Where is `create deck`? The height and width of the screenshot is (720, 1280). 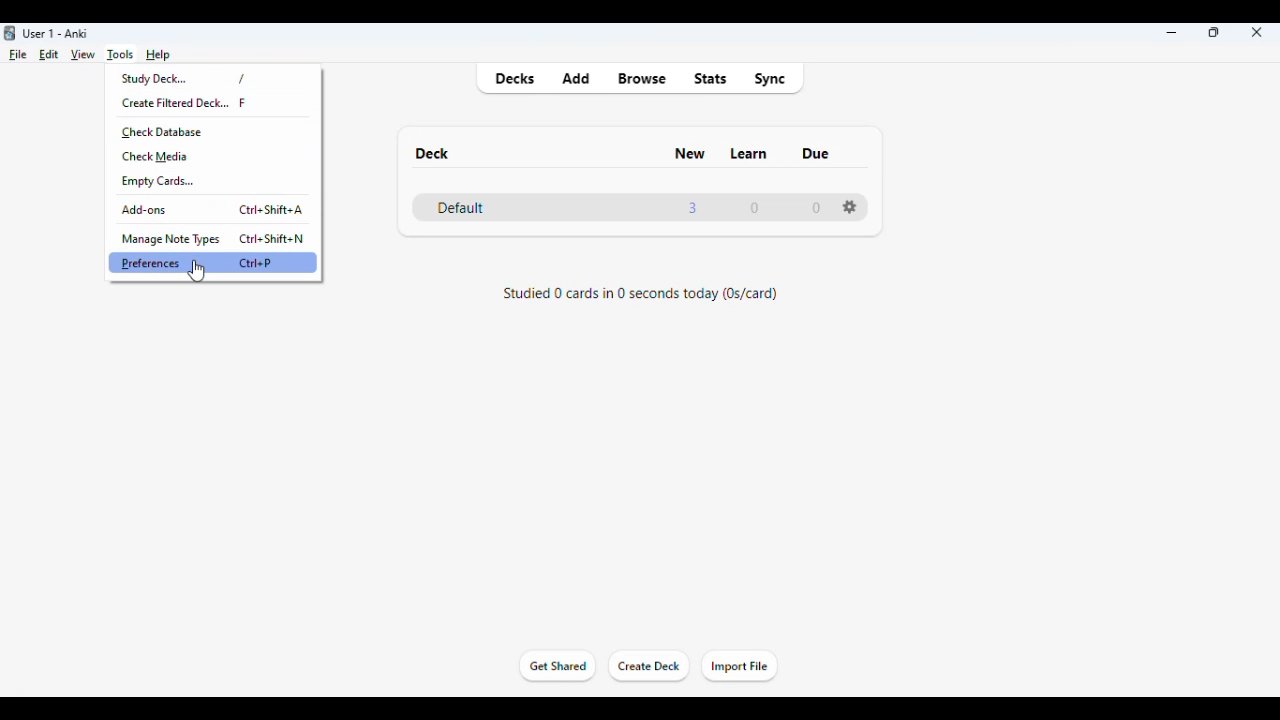
create deck is located at coordinates (650, 667).